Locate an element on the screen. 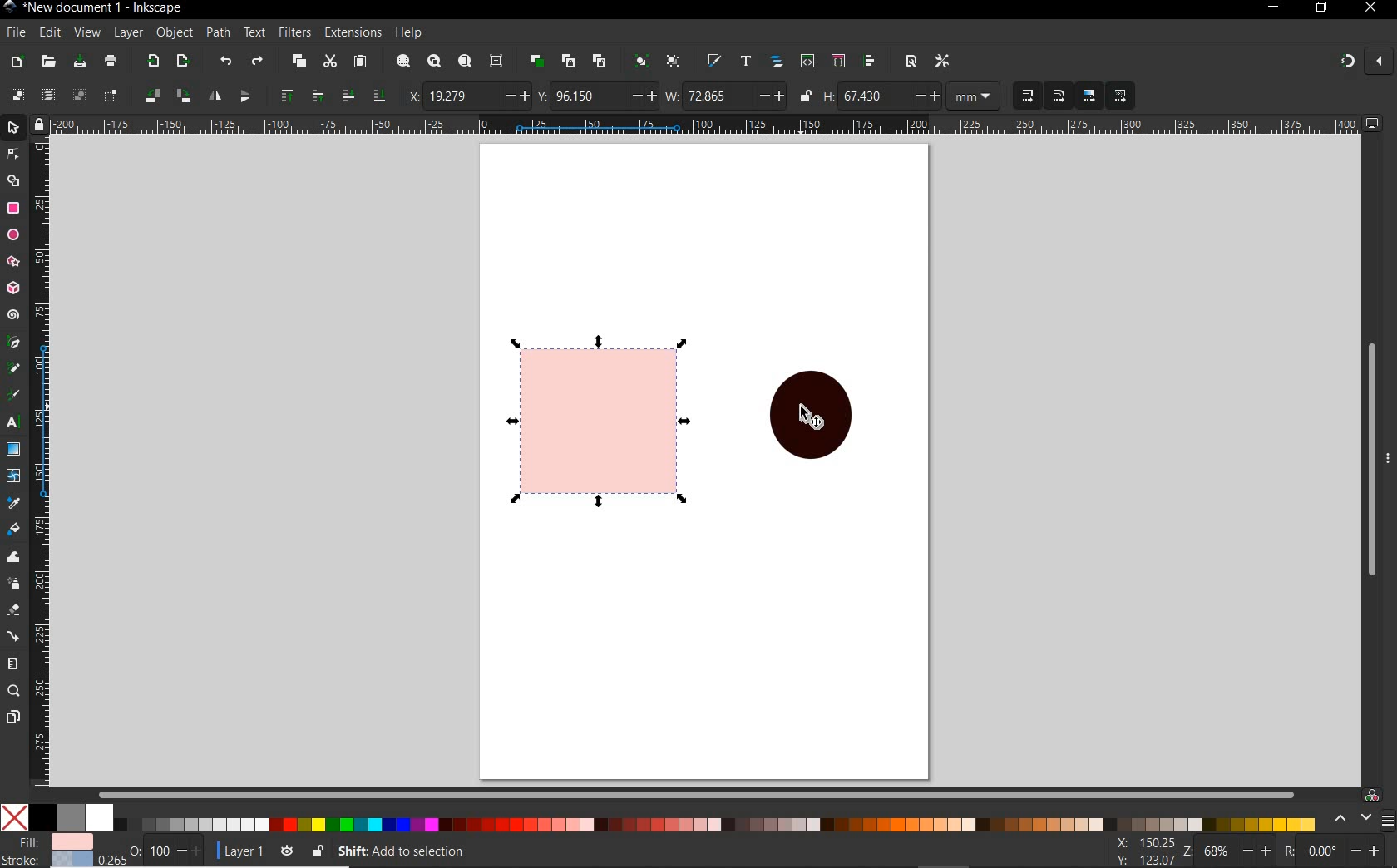 The image size is (1397, 868). vertical coordinates  of selection is located at coordinates (597, 96).